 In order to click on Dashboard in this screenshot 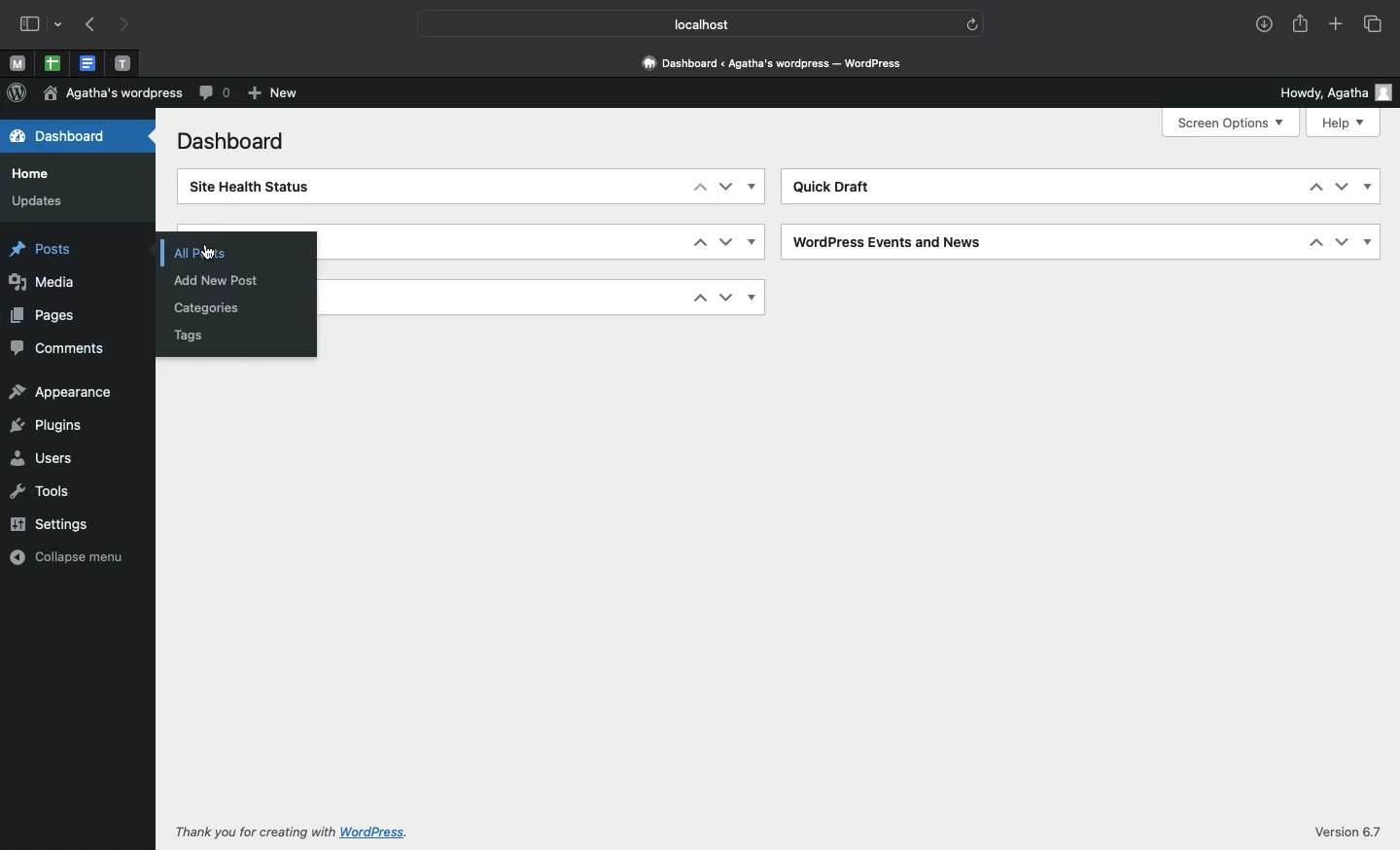, I will do `click(235, 141)`.